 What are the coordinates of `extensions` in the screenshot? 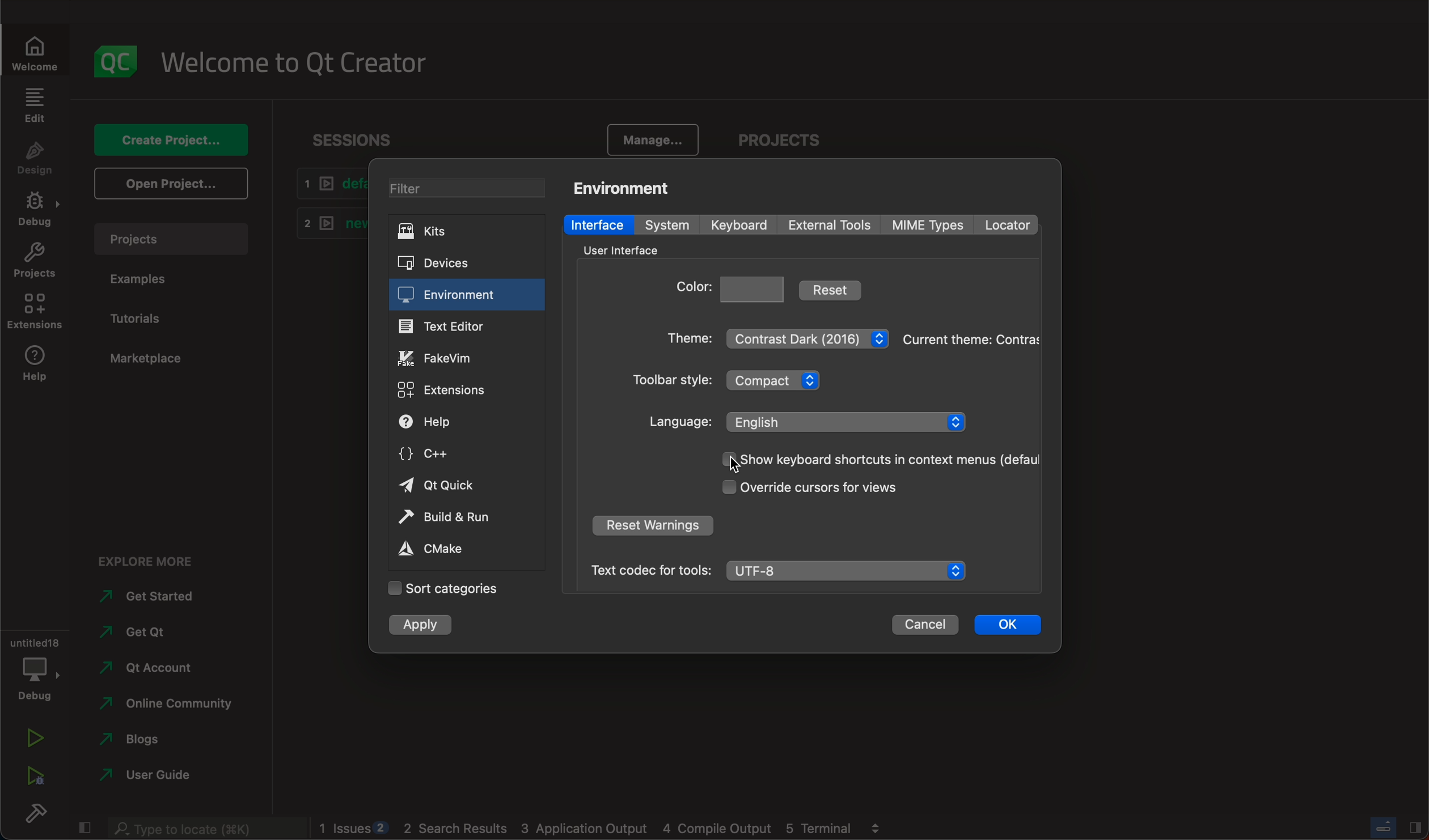 It's located at (450, 388).